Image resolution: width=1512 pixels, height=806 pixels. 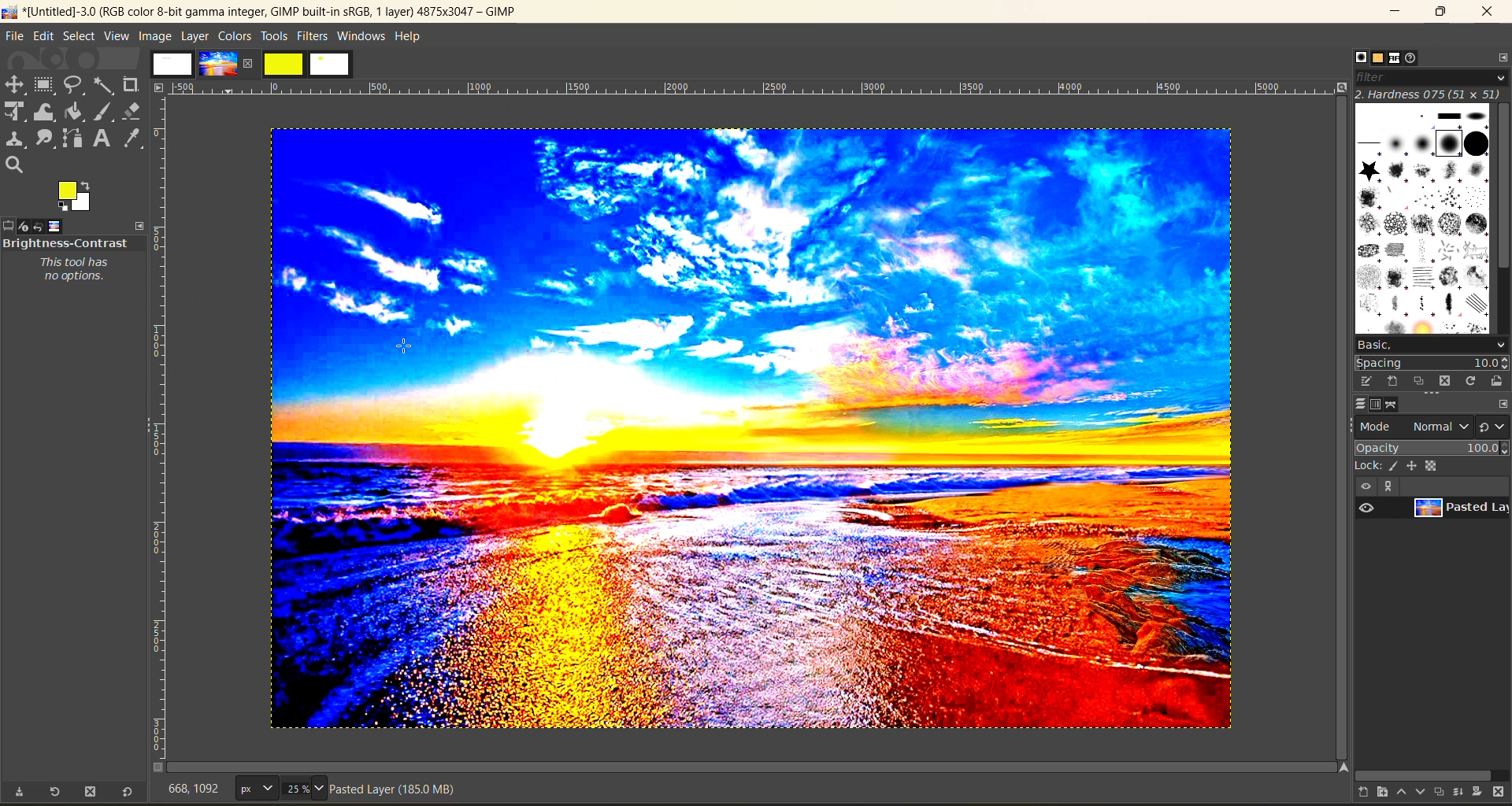 I want to click on merge this layer, so click(x=1465, y=794).